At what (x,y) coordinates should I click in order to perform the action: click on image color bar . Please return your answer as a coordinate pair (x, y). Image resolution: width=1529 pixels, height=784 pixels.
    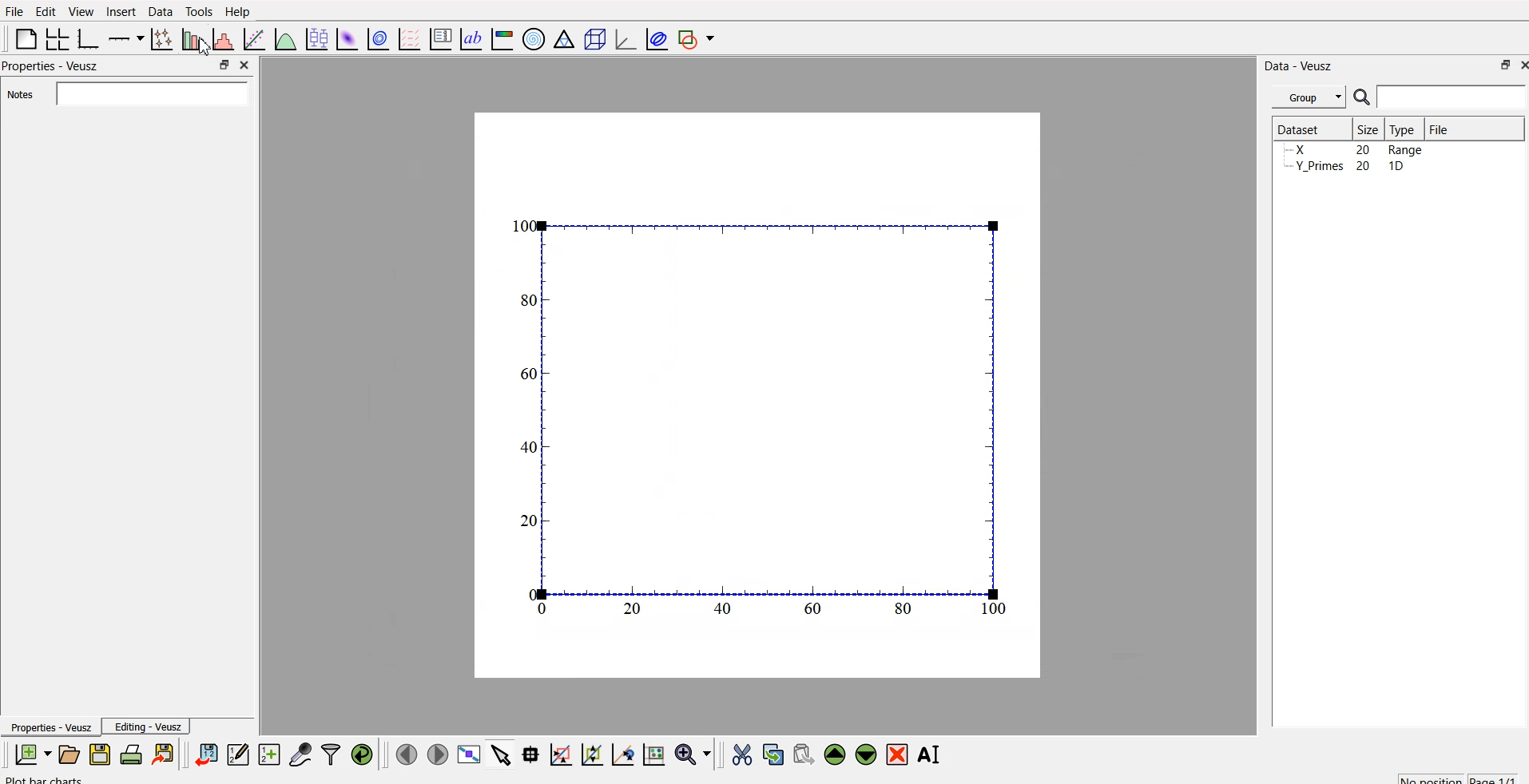
    Looking at the image, I should click on (502, 41).